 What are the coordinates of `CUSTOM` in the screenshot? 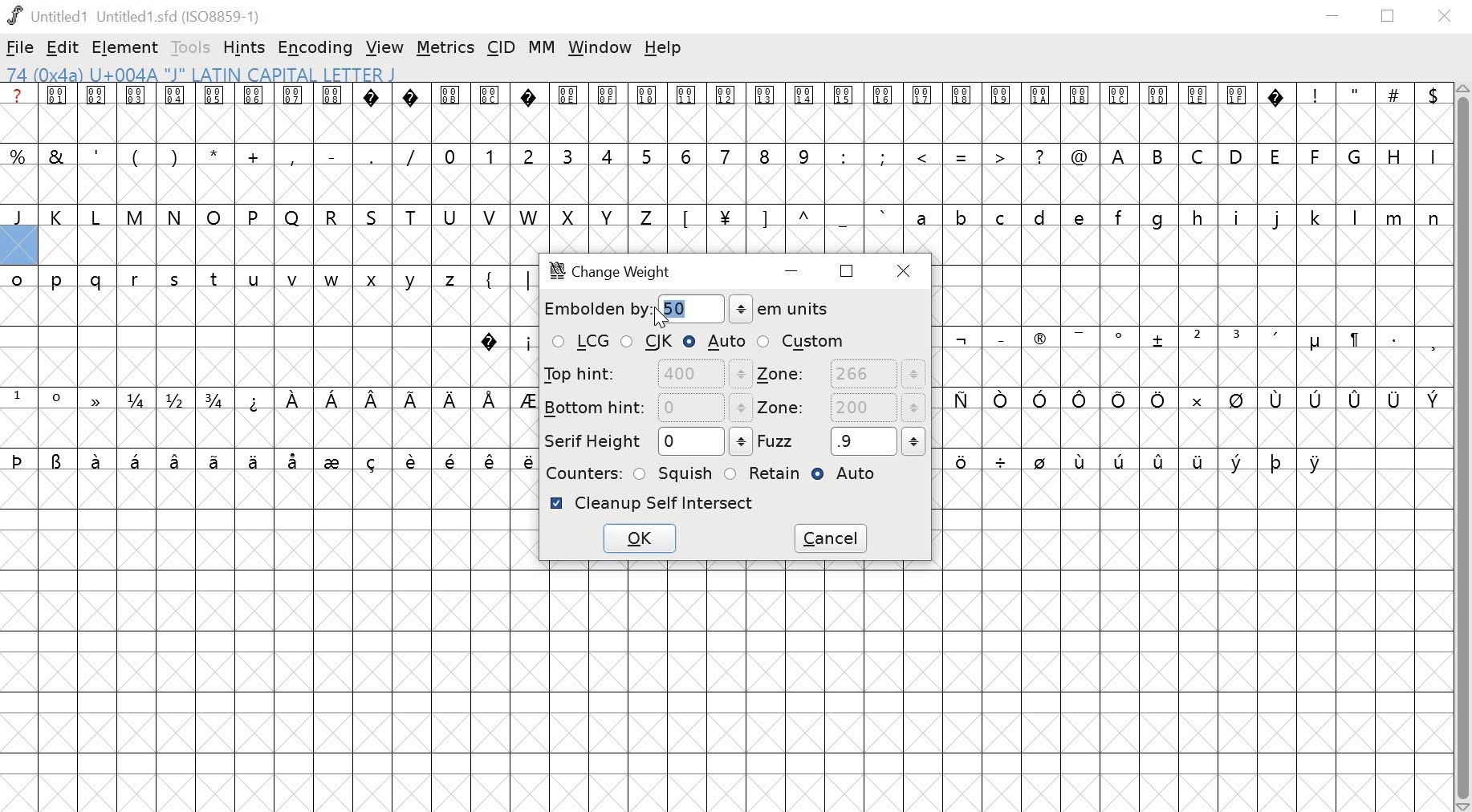 It's located at (802, 341).